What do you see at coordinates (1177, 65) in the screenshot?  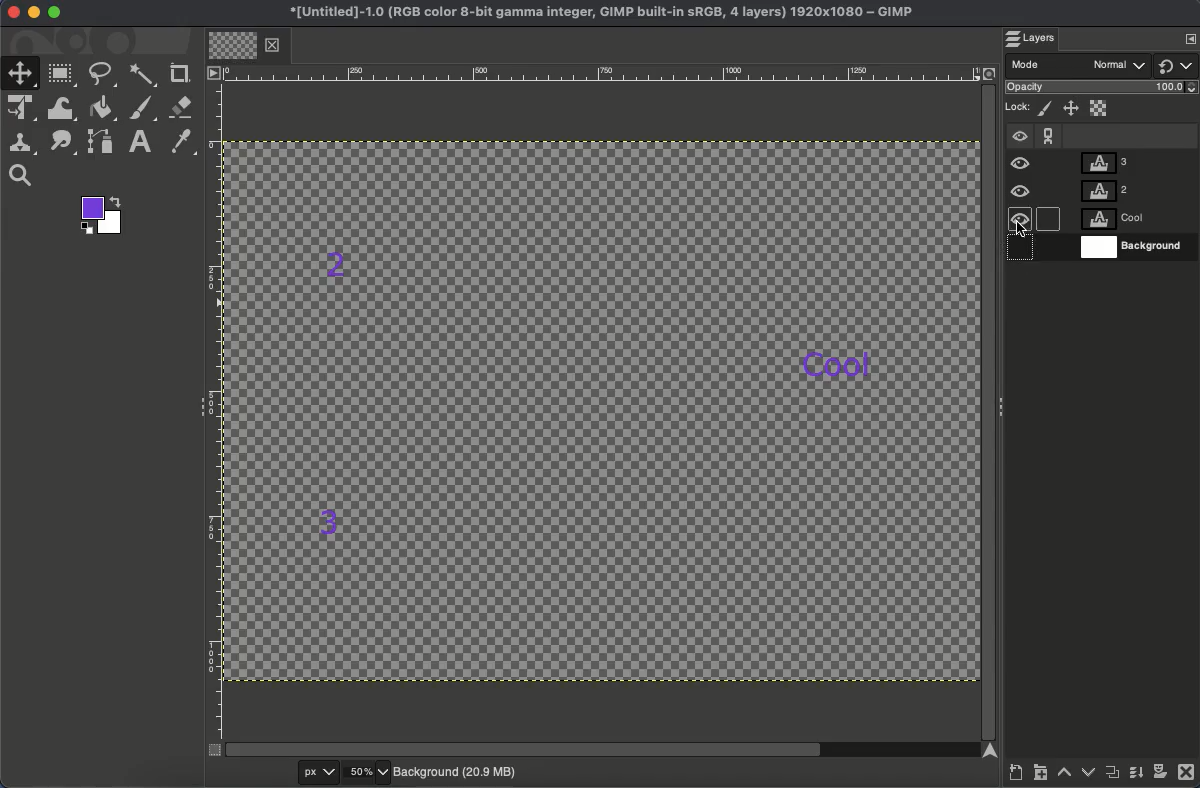 I see `Switch` at bounding box center [1177, 65].